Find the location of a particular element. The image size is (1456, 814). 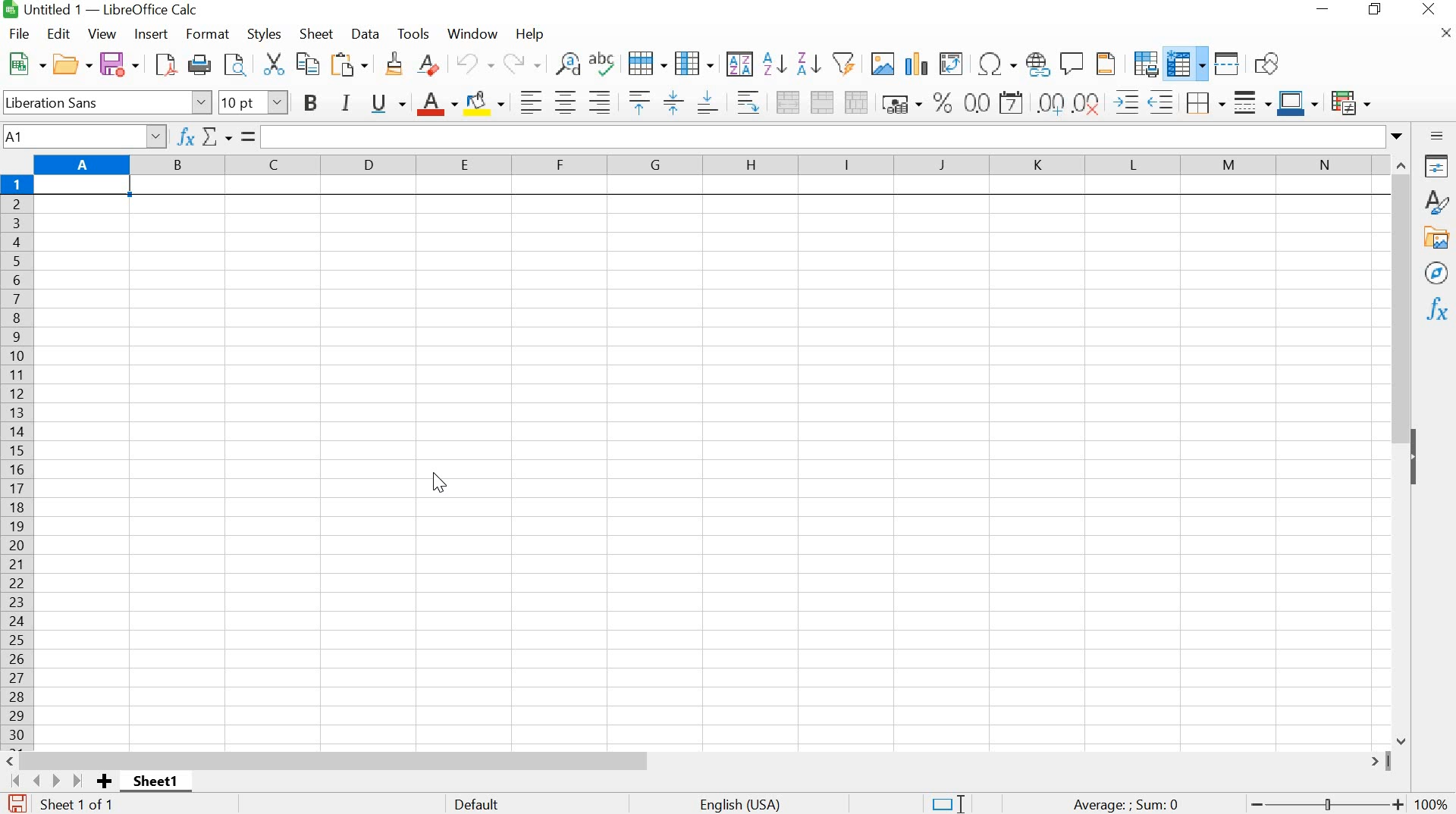

INSERT COMMENT is located at coordinates (1072, 61).